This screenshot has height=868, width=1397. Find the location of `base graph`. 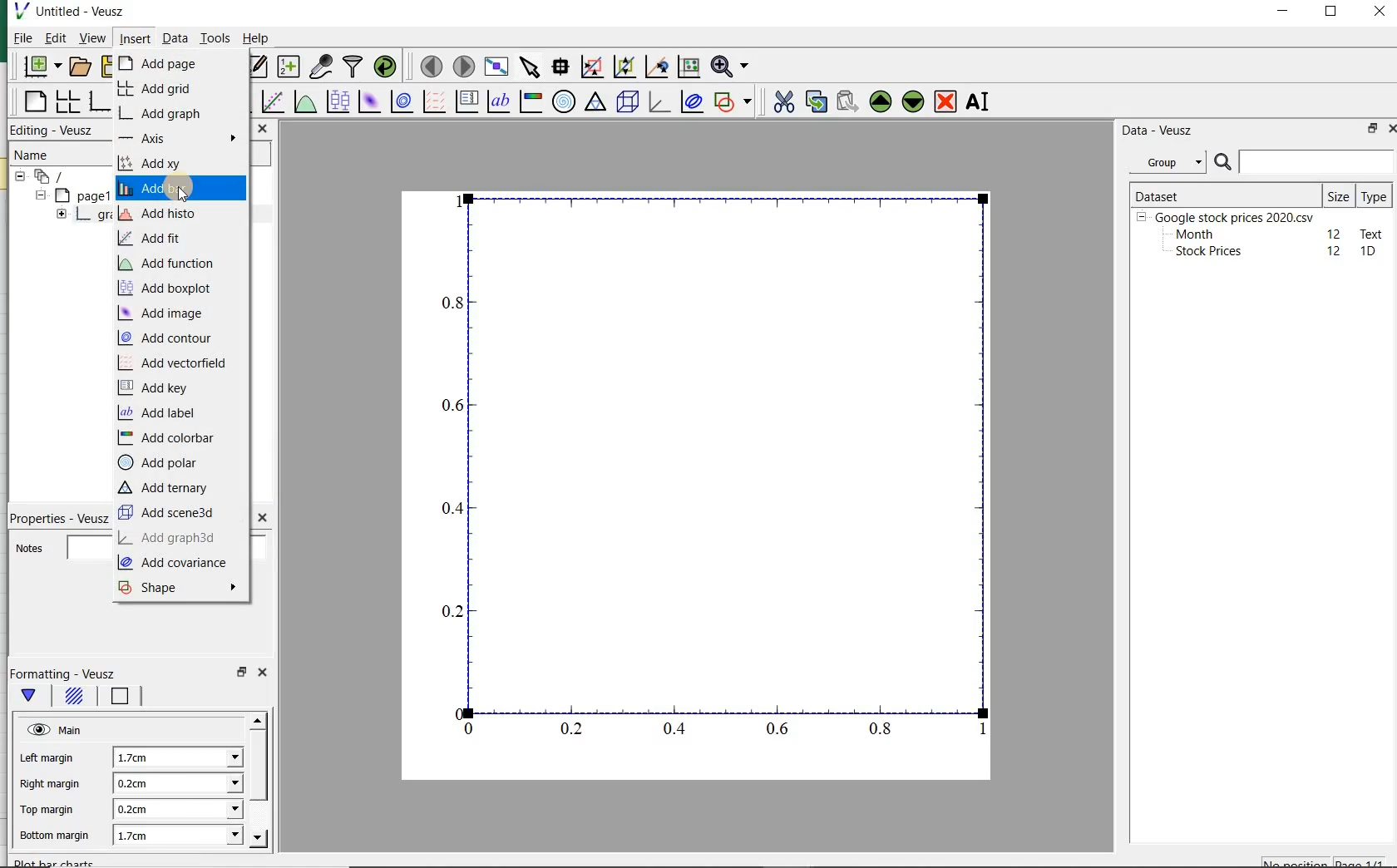

base graph is located at coordinates (99, 102).